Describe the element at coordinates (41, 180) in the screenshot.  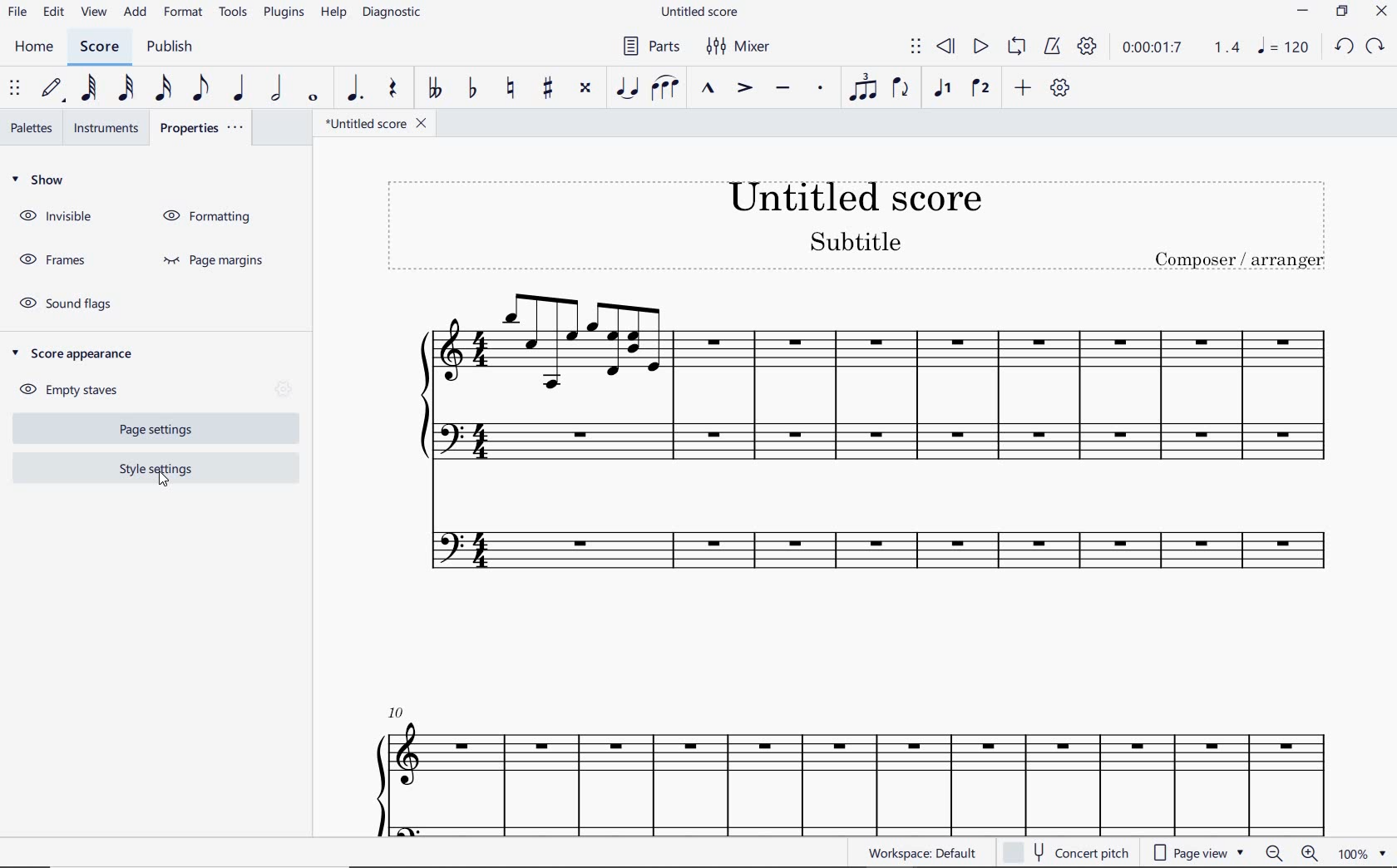
I see `SHOW` at that location.